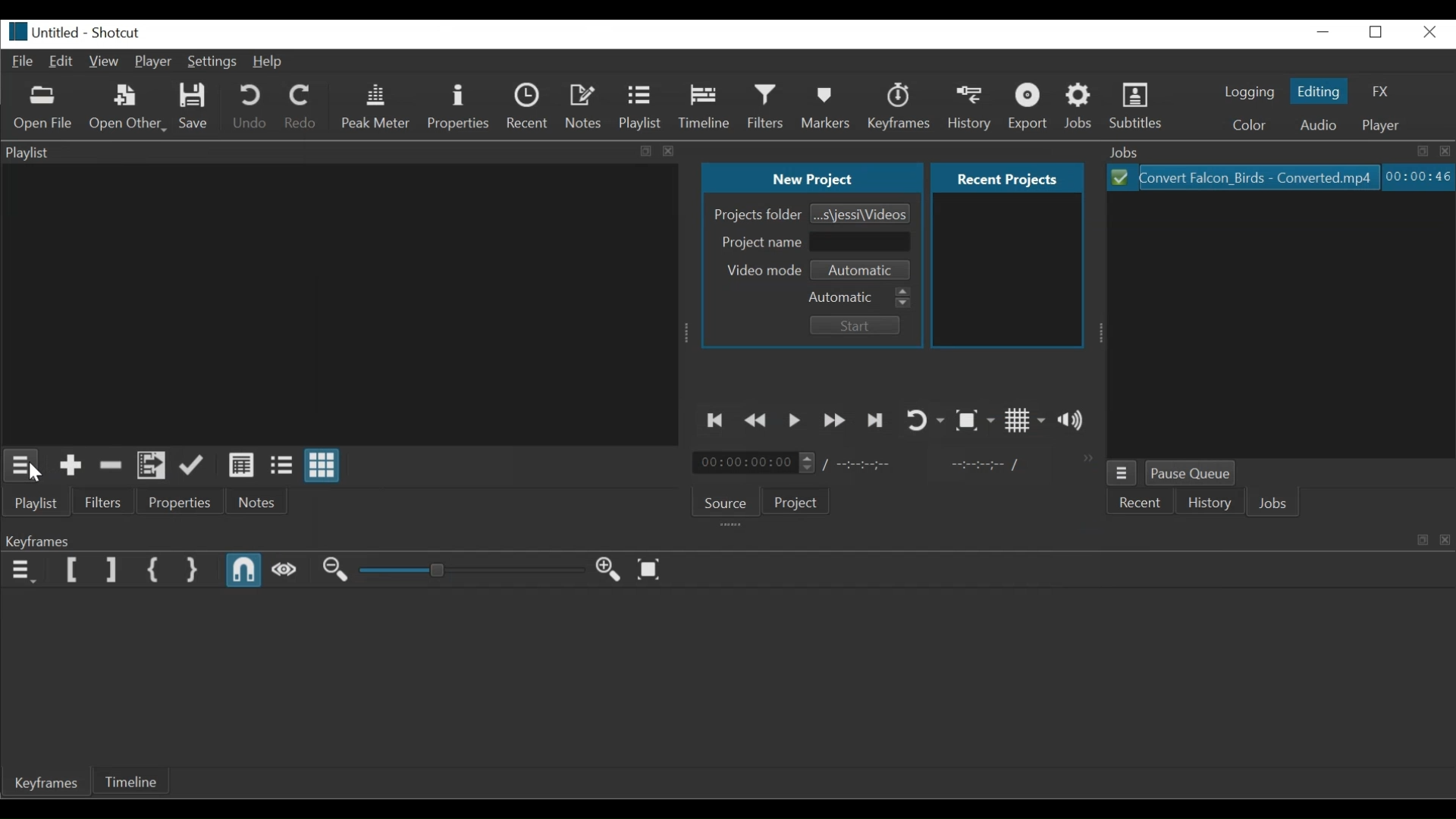 The height and width of the screenshot is (819, 1456). What do you see at coordinates (1278, 152) in the screenshot?
I see `Jobs` at bounding box center [1278, 152].